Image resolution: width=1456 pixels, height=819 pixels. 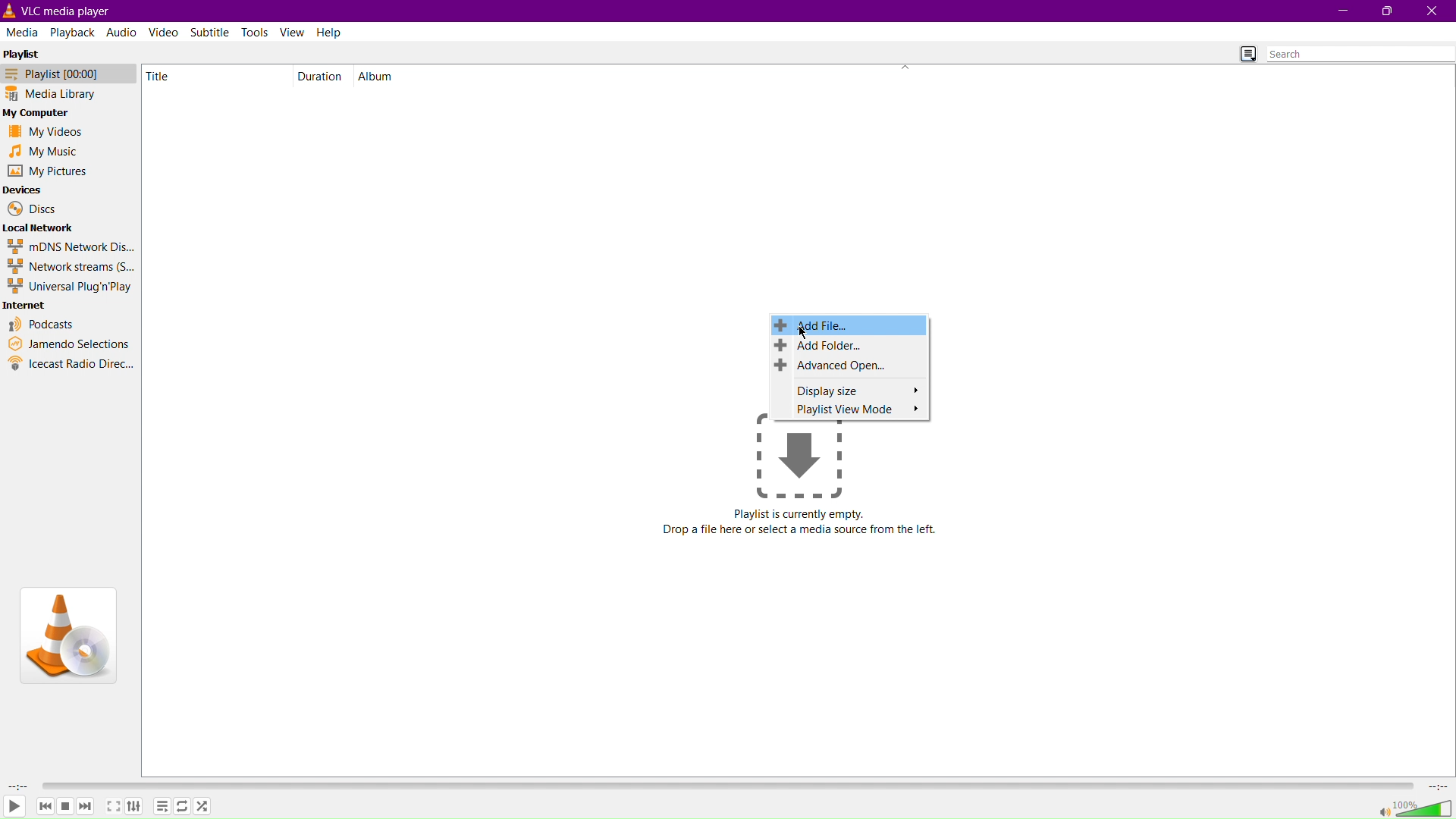 What do you see at coordinates (74, 10) in the screenshot?
I see `VLC Media Player` at bounding box center [74, 10].